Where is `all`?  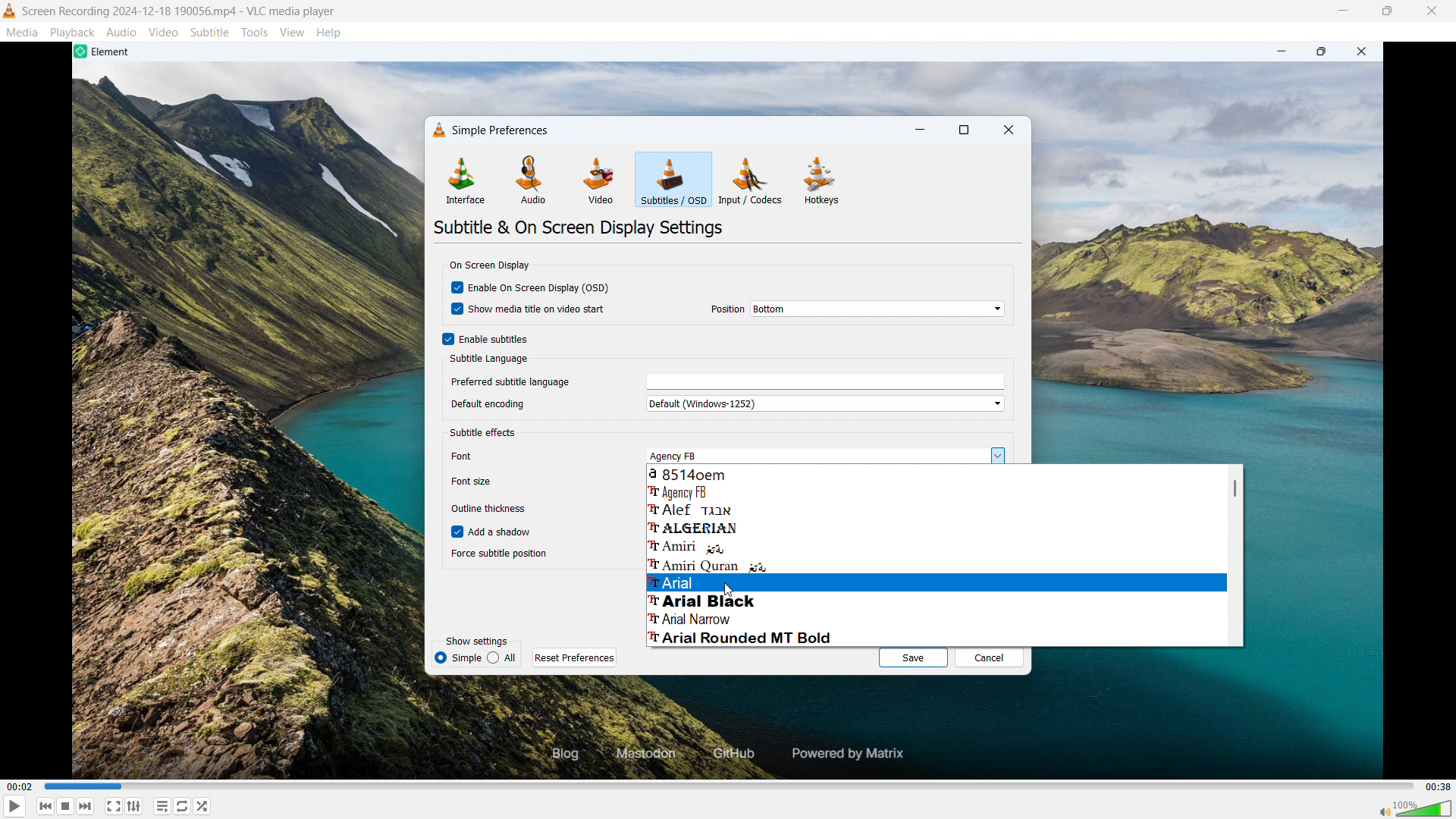
all is located at coordinates (457, 658).